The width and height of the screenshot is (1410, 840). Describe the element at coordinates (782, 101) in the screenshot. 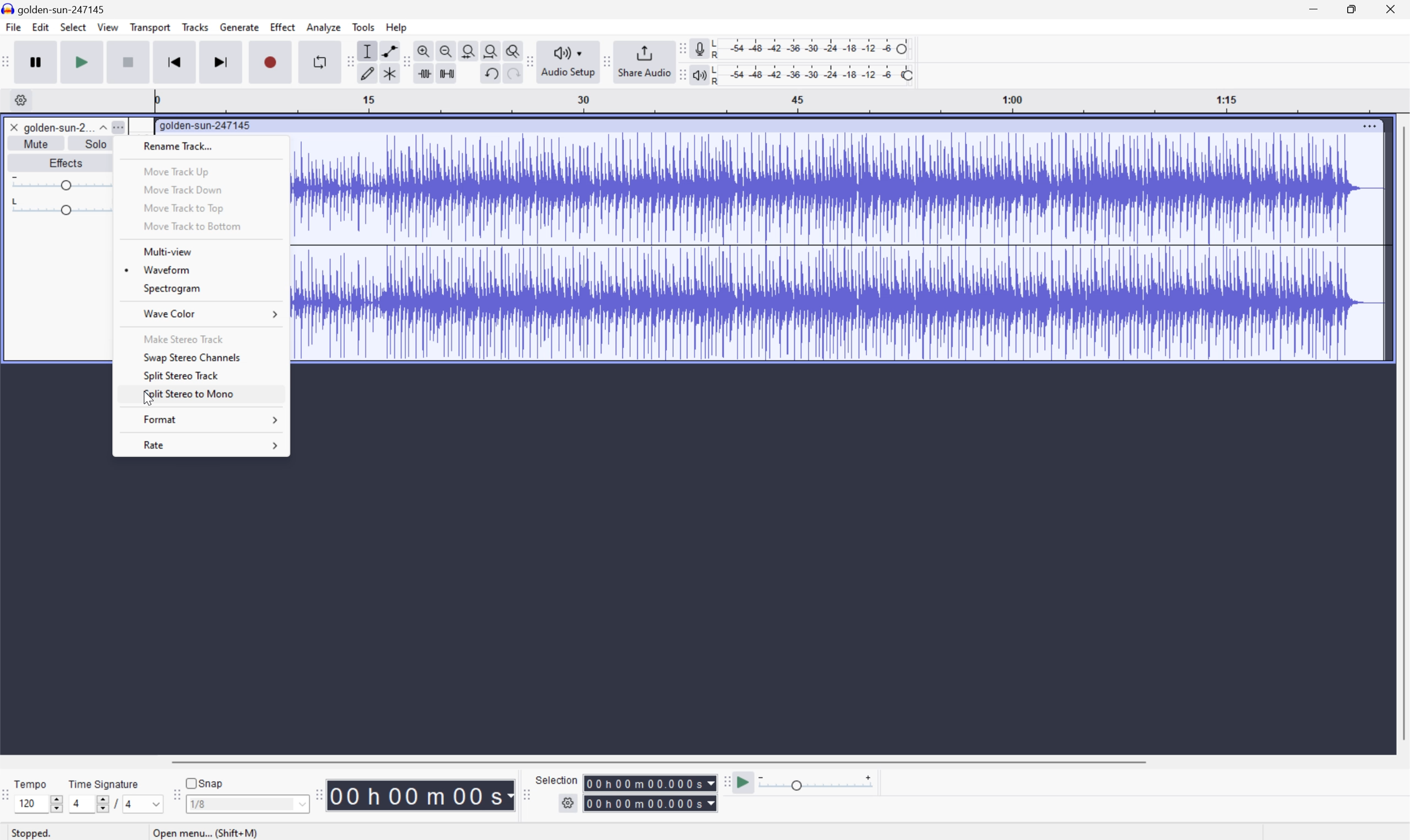

I see `Scale` at that location.